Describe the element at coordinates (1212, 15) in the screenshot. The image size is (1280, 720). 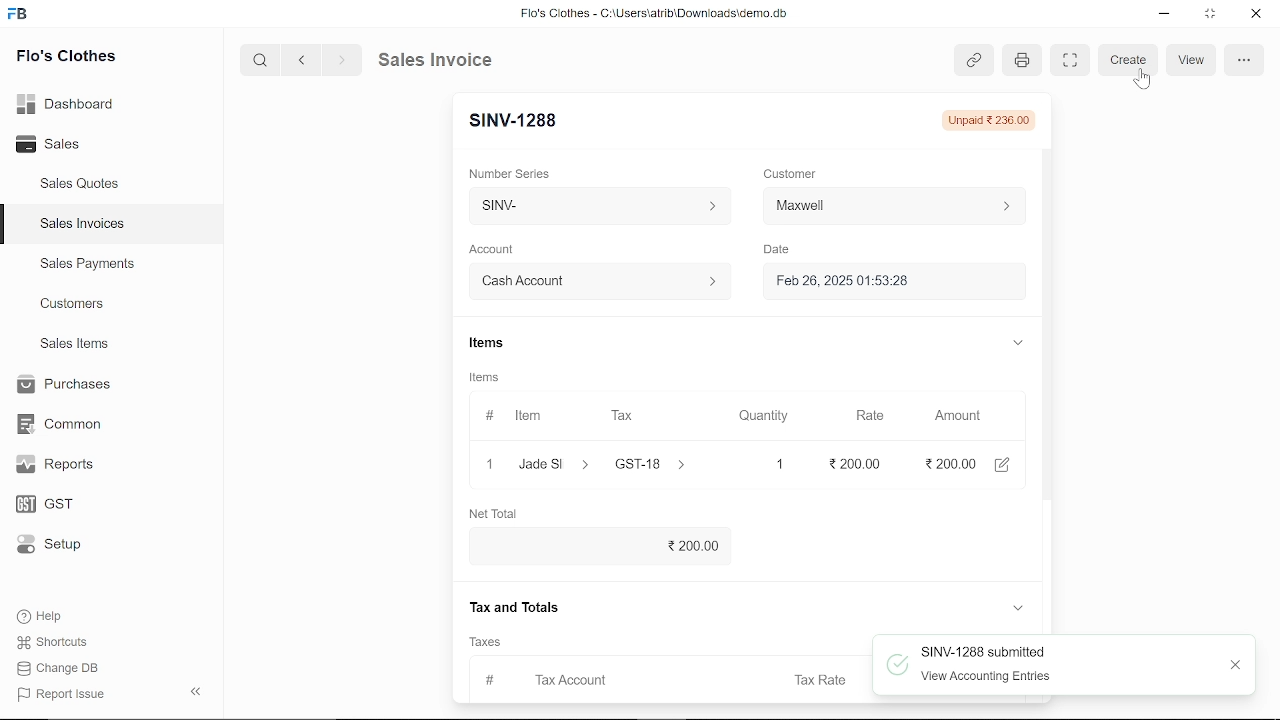
I see `restore down` at that location.